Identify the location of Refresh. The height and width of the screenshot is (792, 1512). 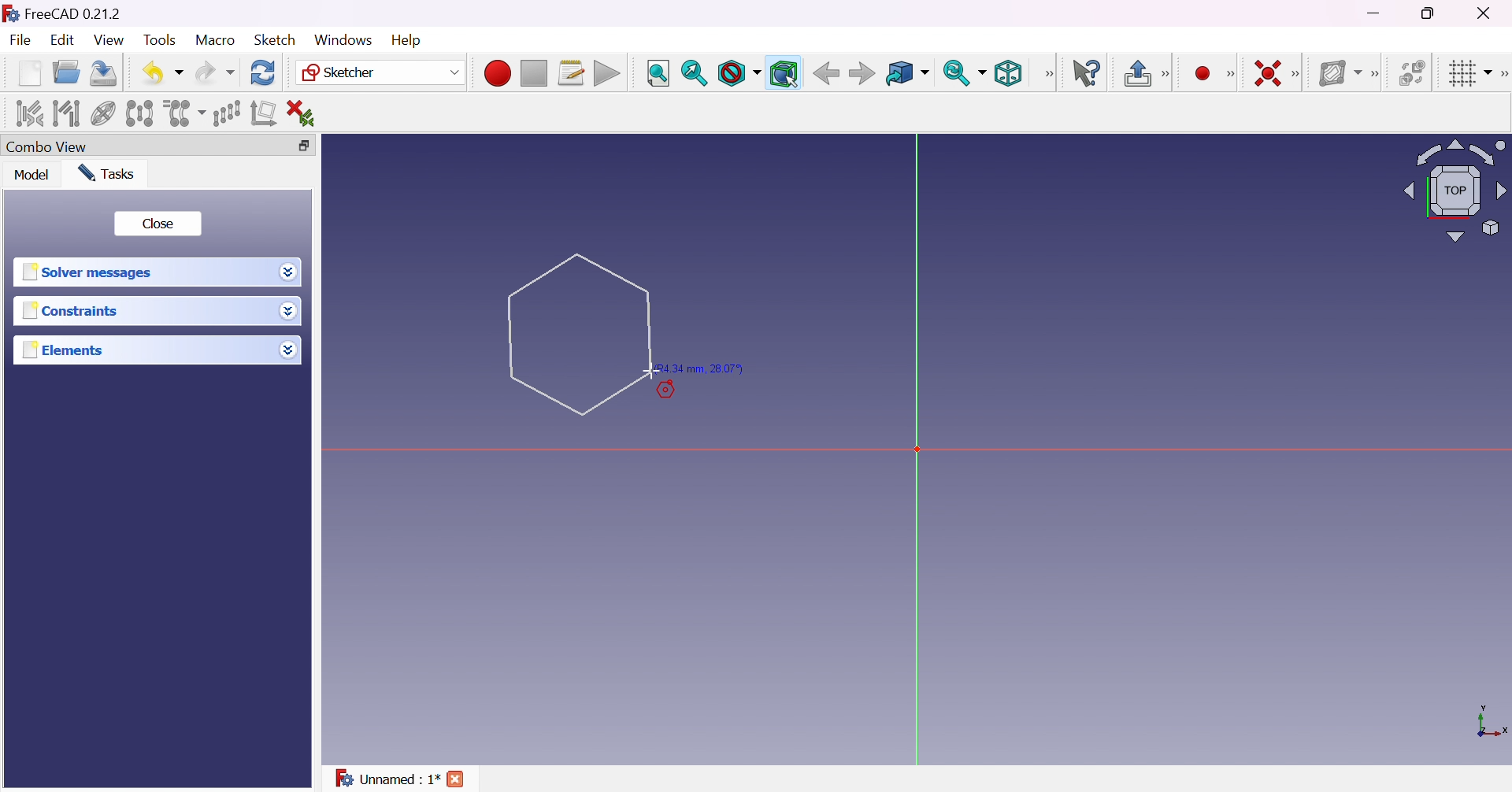
(265, 73).